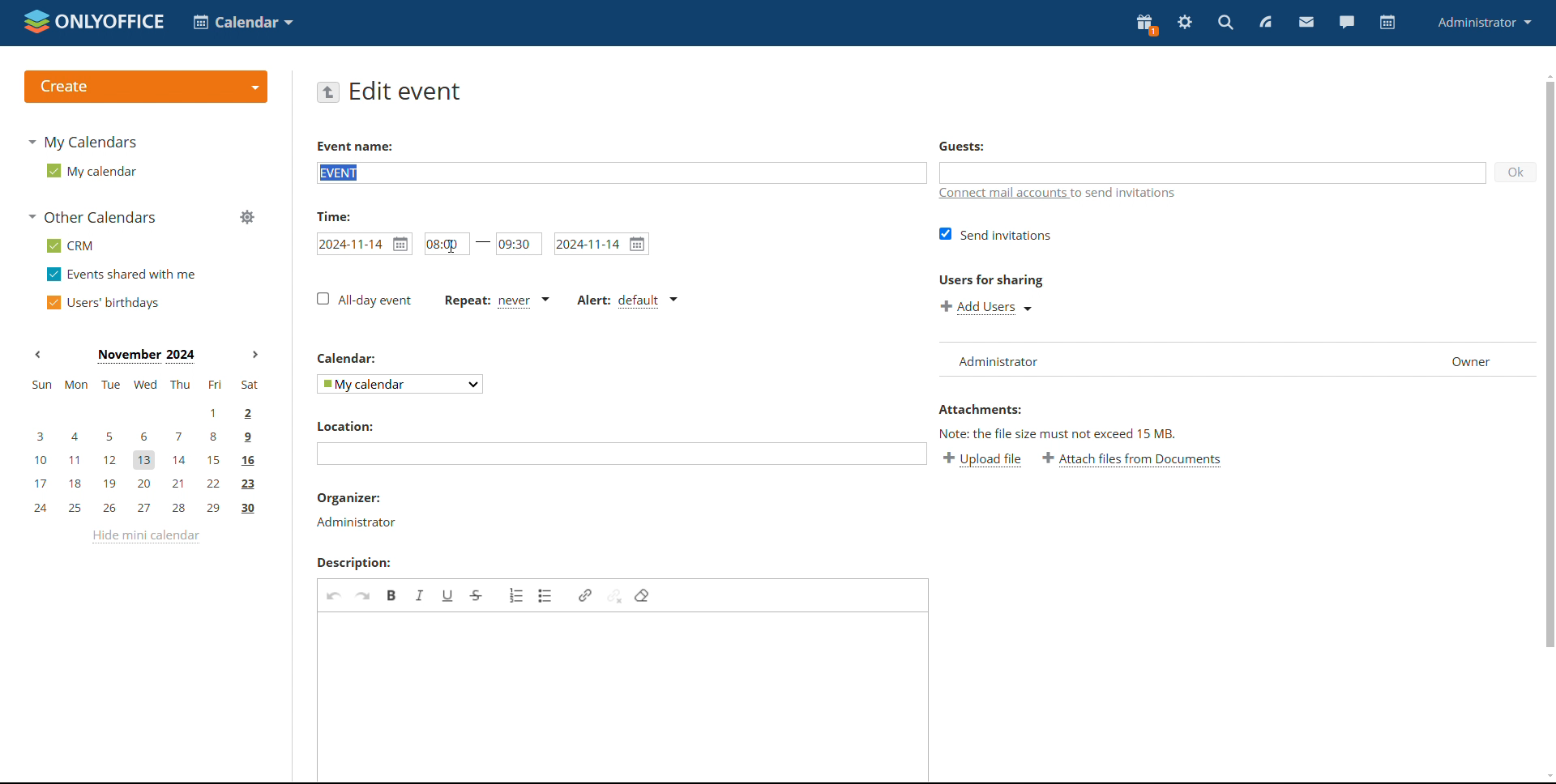 The width and height of the screenshot is (1556, 784). Describe the element at coordinates (406, 92) in the screenshot. I see `edit event` at that location.